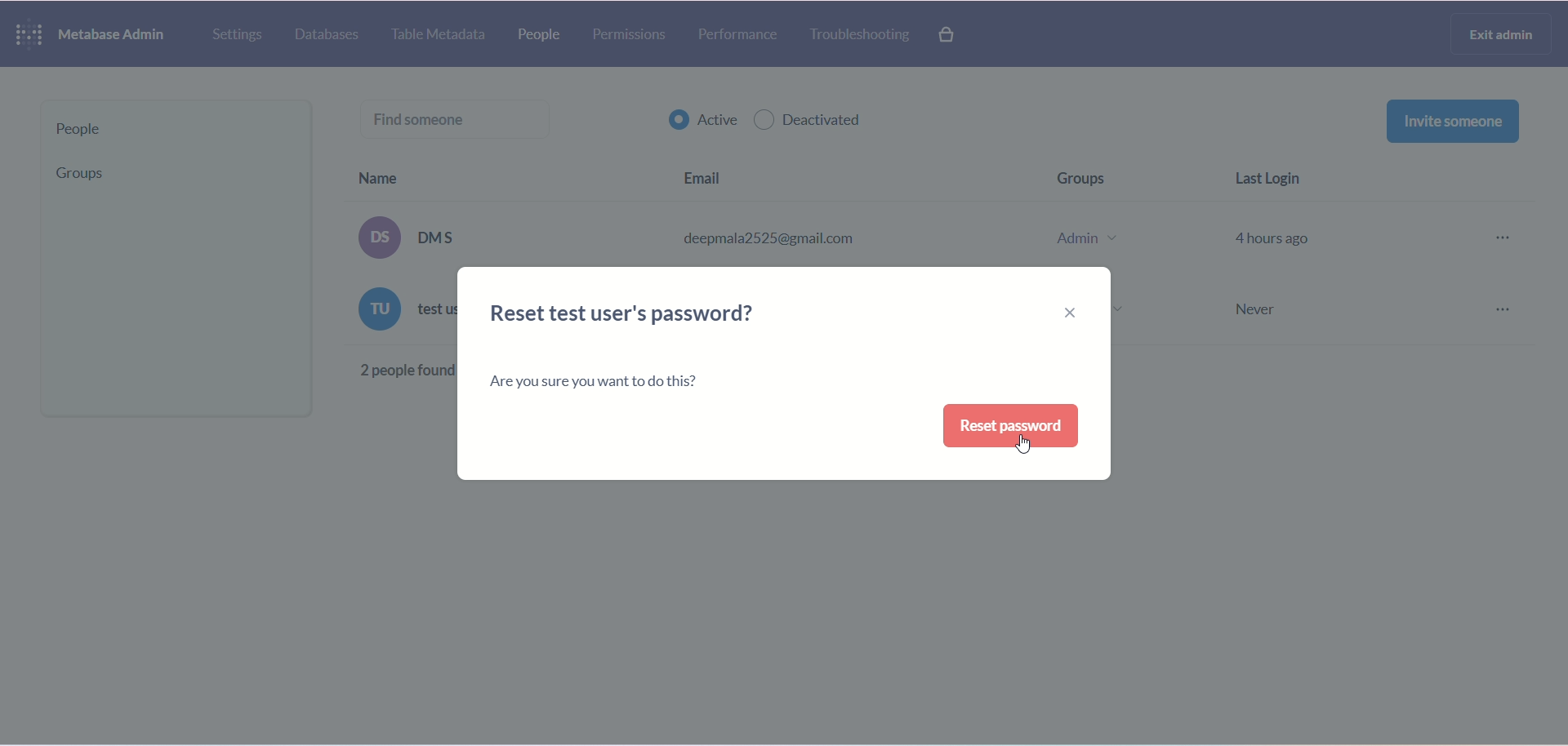 This screenshot has height=746, width=1568. Describe the element at coordinates (1071, 313) in the screenshot. I see `close` at that location.